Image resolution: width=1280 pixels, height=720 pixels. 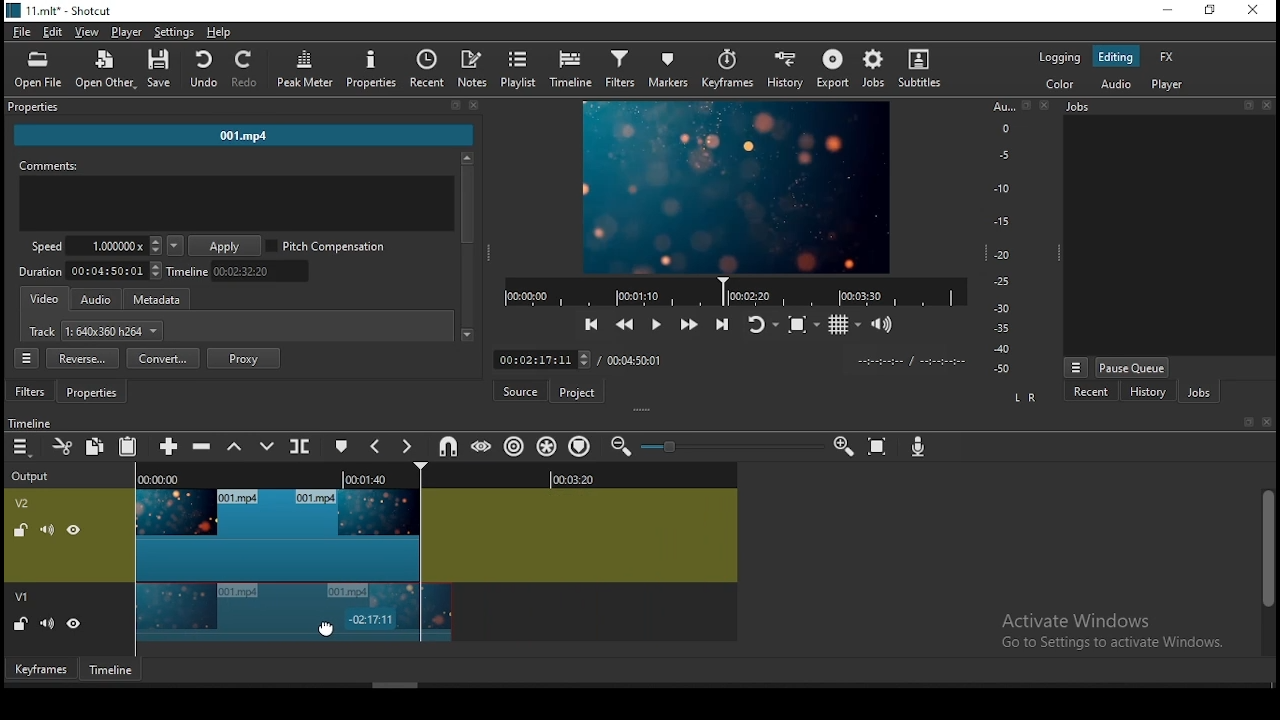 What do you see at coordinates (174, 246) in the screenshot?
I see `playback speed presets` at bounding box center [174, 246].